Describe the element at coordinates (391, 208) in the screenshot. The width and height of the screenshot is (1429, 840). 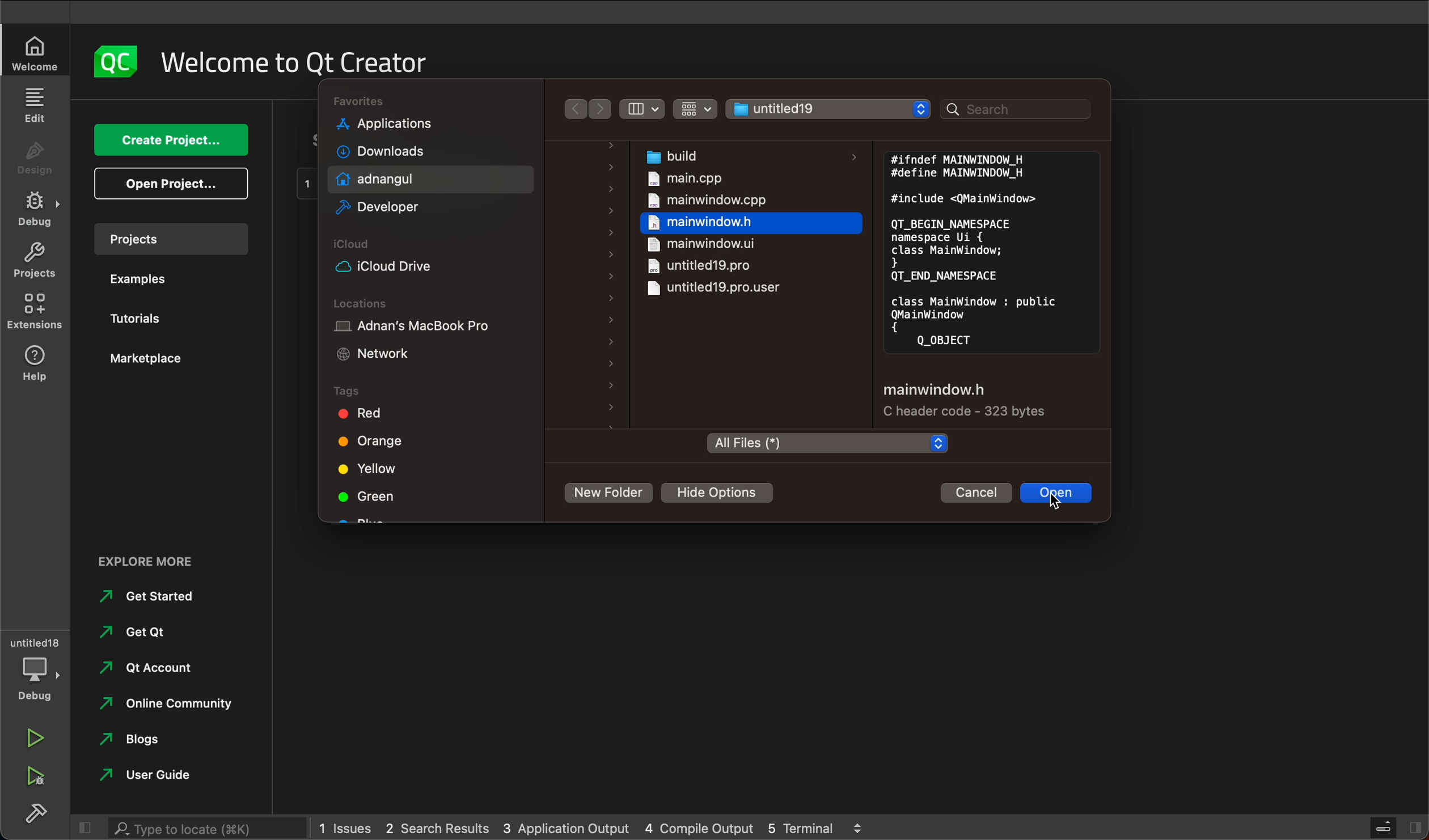
I see `developer` at that location.